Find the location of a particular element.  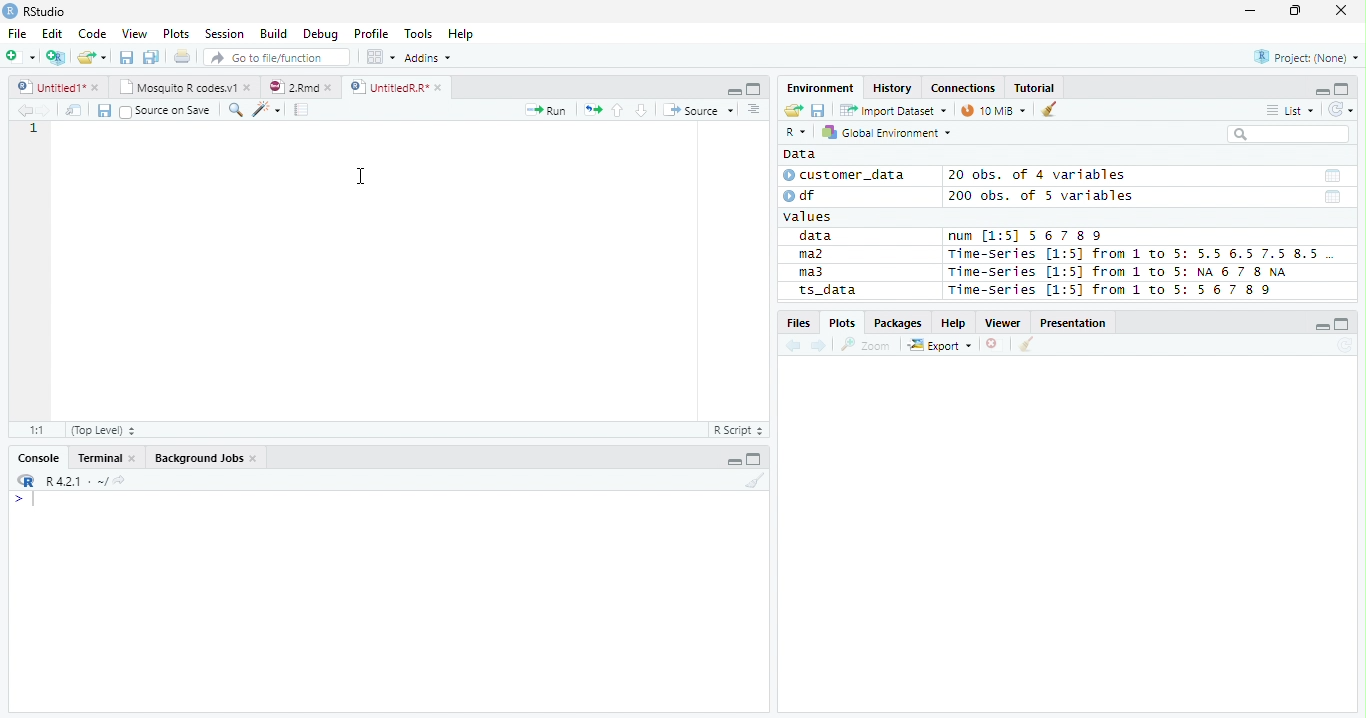

File is located at coordinates (16, 33).